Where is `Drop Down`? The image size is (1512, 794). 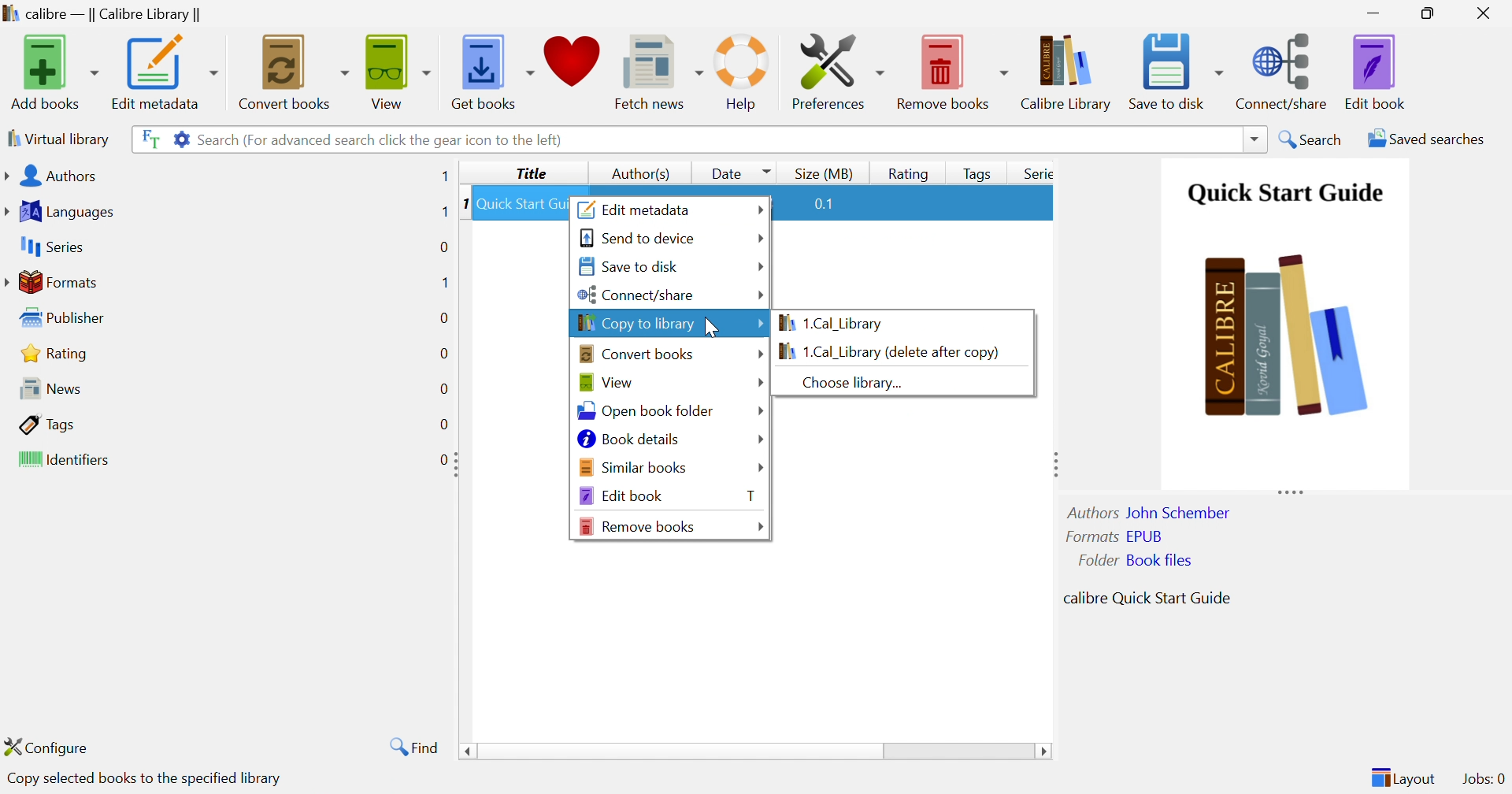 Drop Down is located at coordinates (759, 210).